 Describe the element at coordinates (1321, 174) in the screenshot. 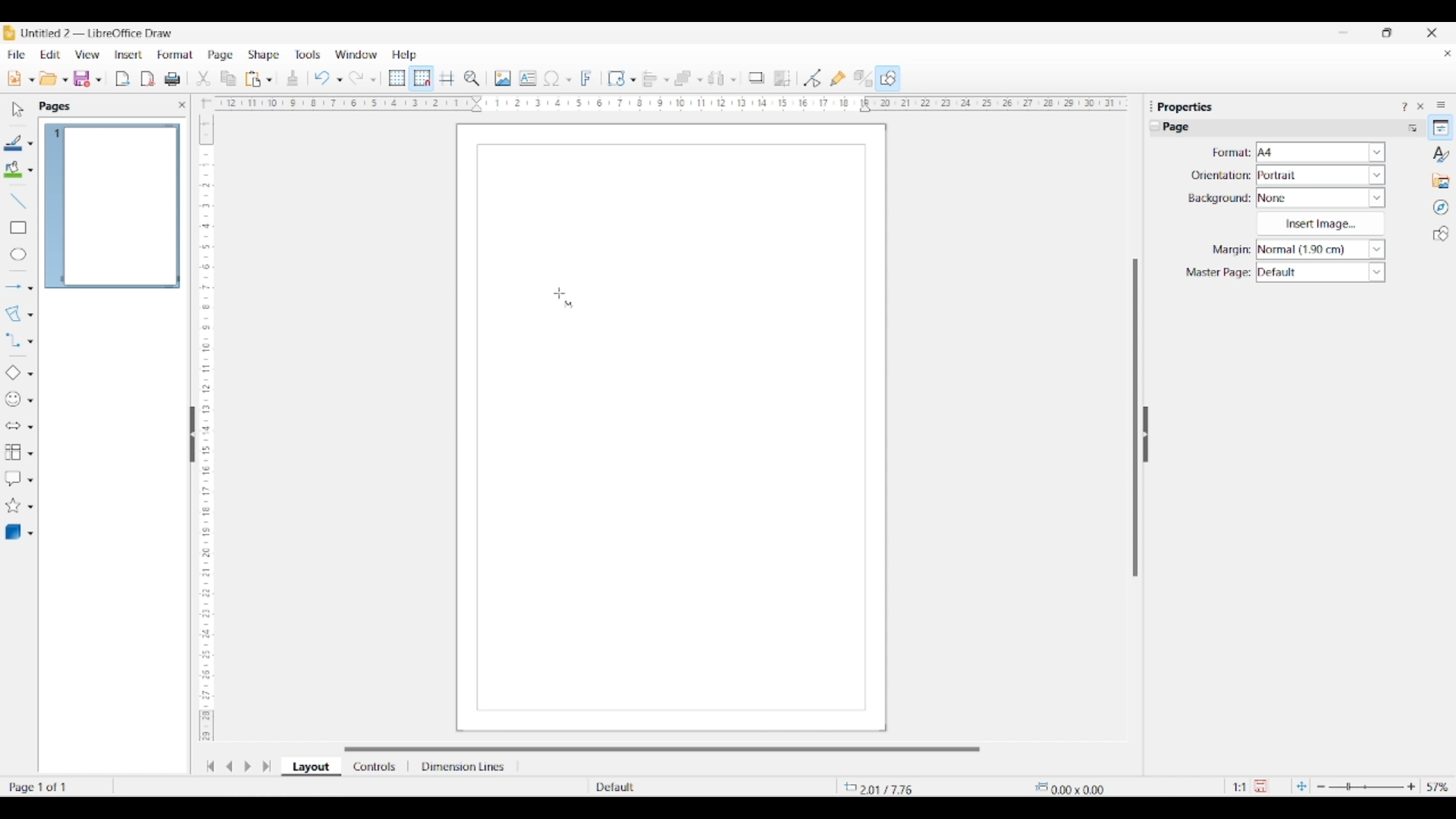

I see `Orientation options` at that location.